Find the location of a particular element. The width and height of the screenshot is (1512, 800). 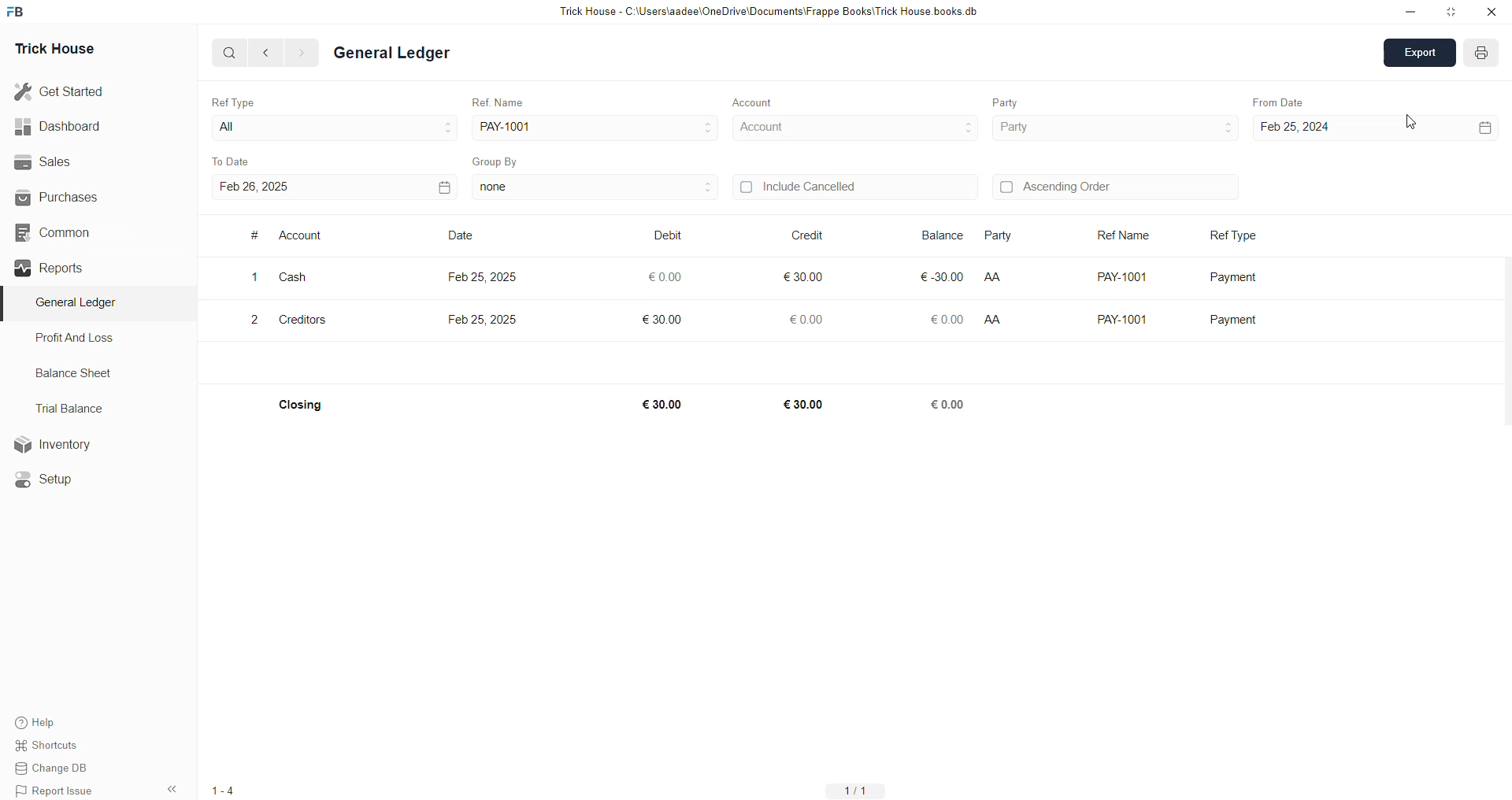

Purchase Items is located at coordinates (80, 335).